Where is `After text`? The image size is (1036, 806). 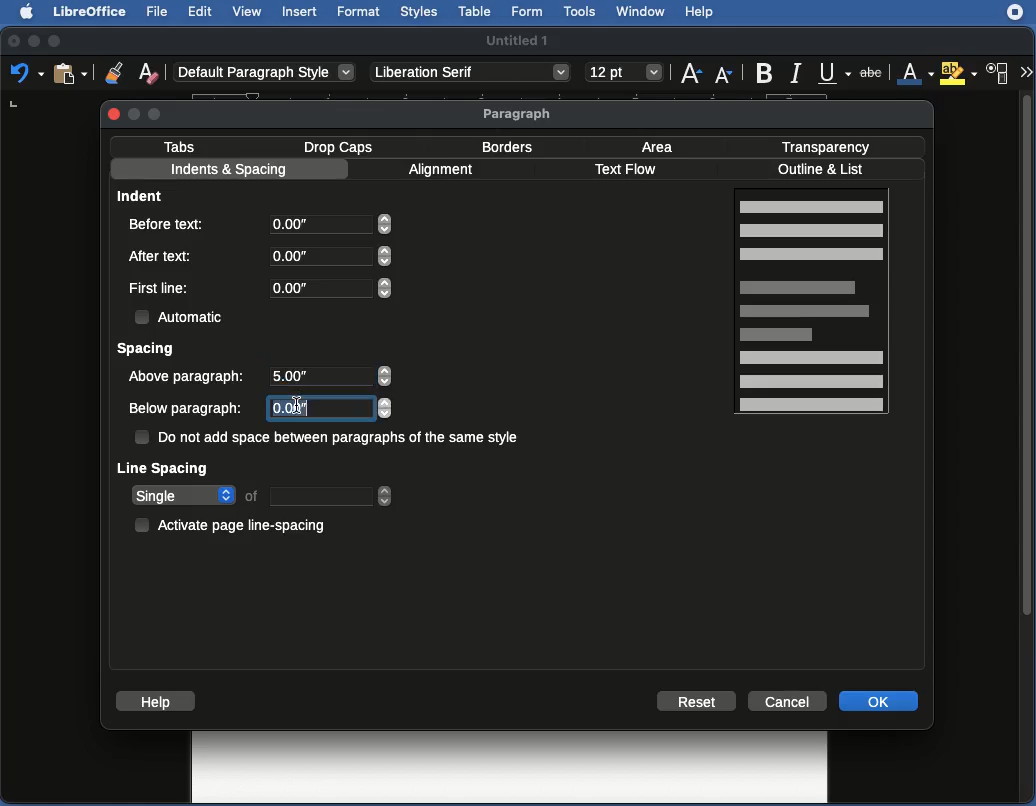
After text is located at coordinates (164, 255).